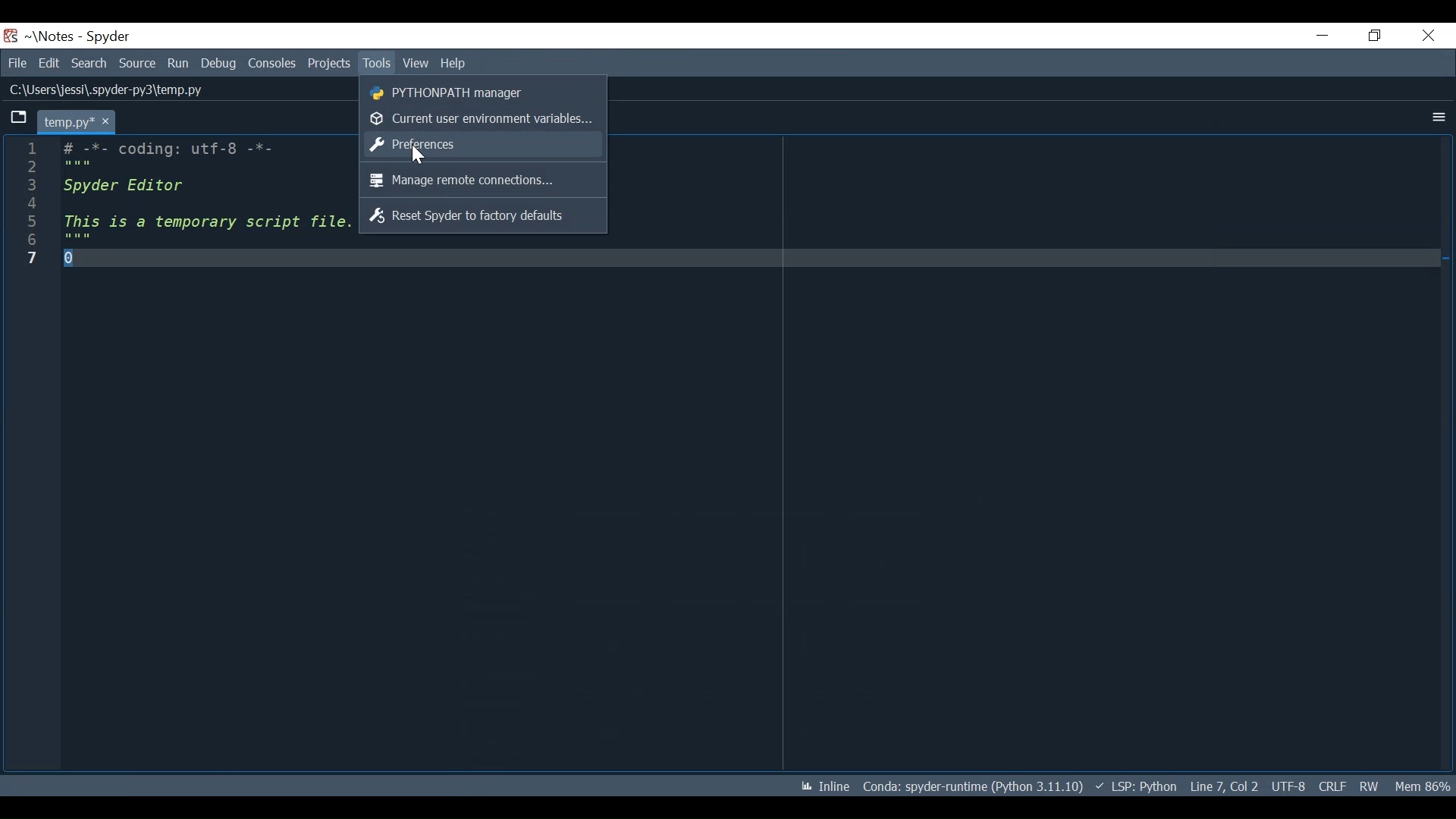 Image resolution: width=1456 pixels, height=819 pixels. Describe the element at coordinates (1435, 118) in the screenshot. I see `More Options` at that location.